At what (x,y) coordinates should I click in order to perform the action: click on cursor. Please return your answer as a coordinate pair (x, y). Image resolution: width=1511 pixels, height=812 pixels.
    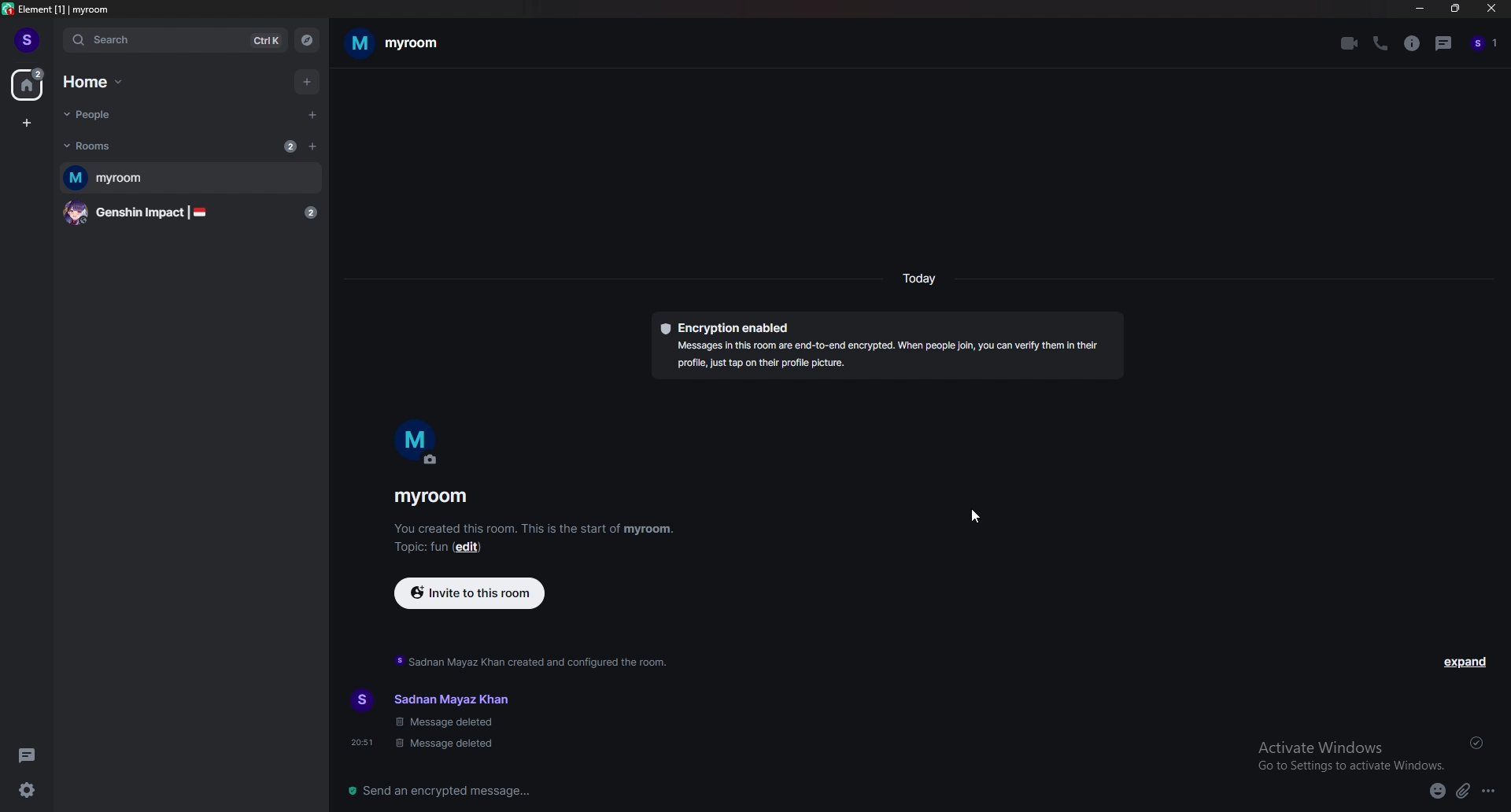
    Looking at the image, I should click on (975, 516).